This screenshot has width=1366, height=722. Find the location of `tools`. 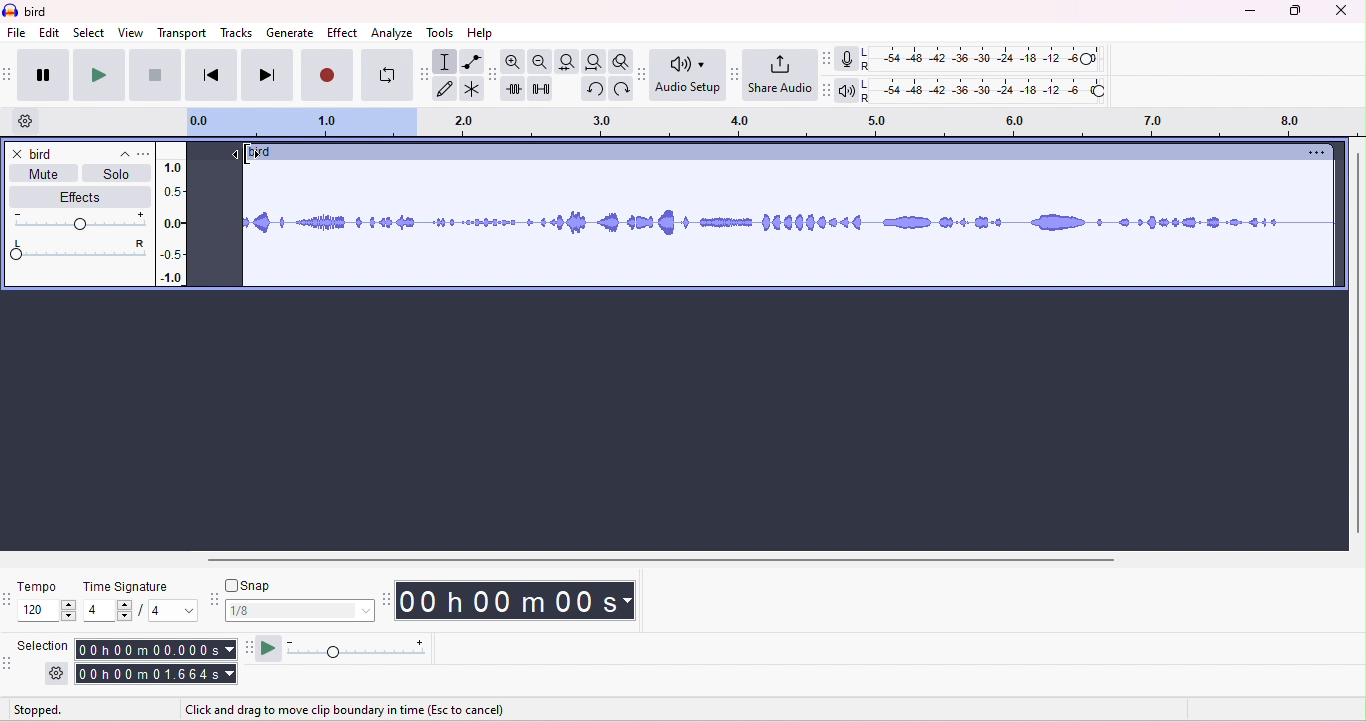

tools is located at coordinates (441, 33).